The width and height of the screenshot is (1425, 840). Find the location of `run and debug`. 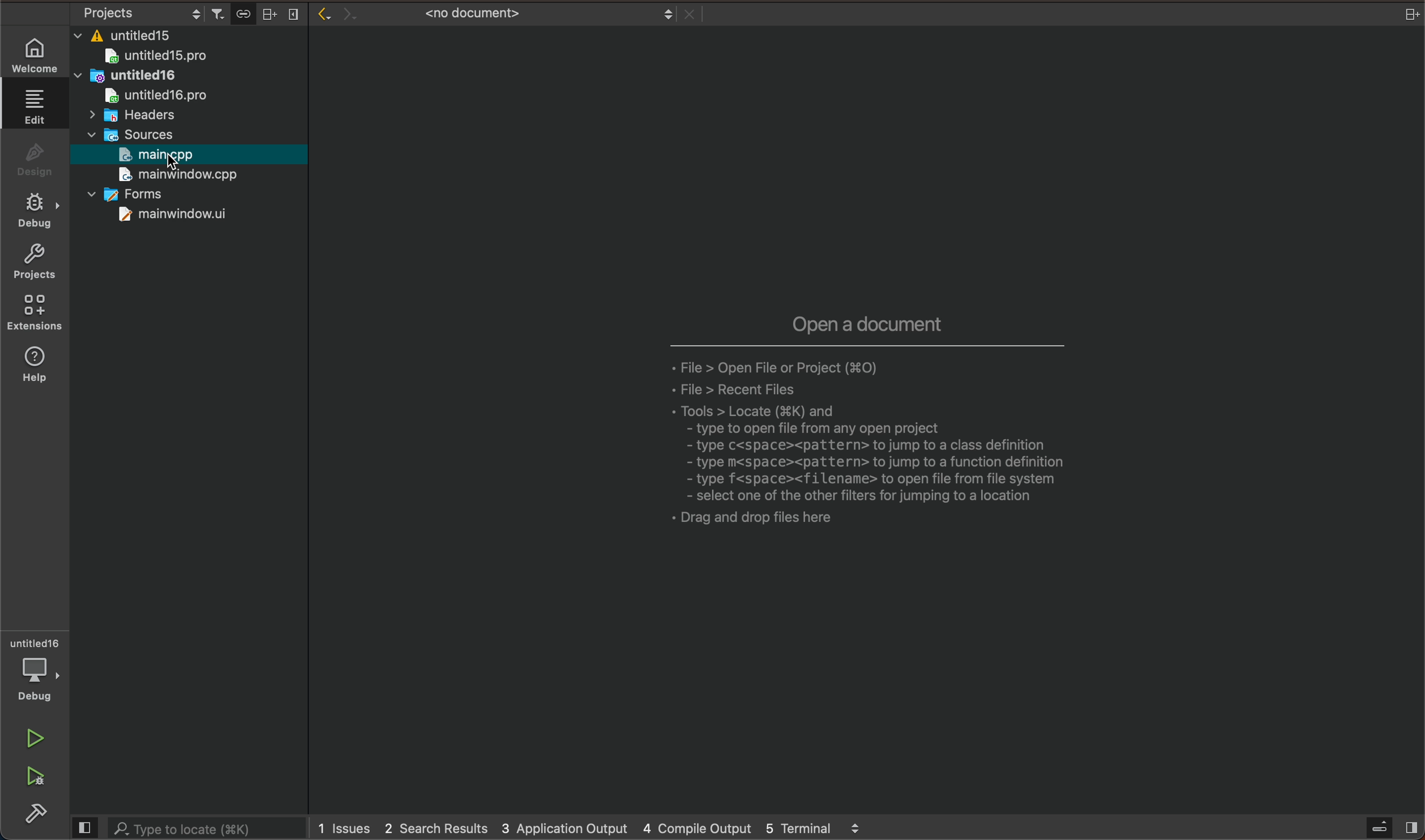

run and debug is located at coordinates (29, 775).